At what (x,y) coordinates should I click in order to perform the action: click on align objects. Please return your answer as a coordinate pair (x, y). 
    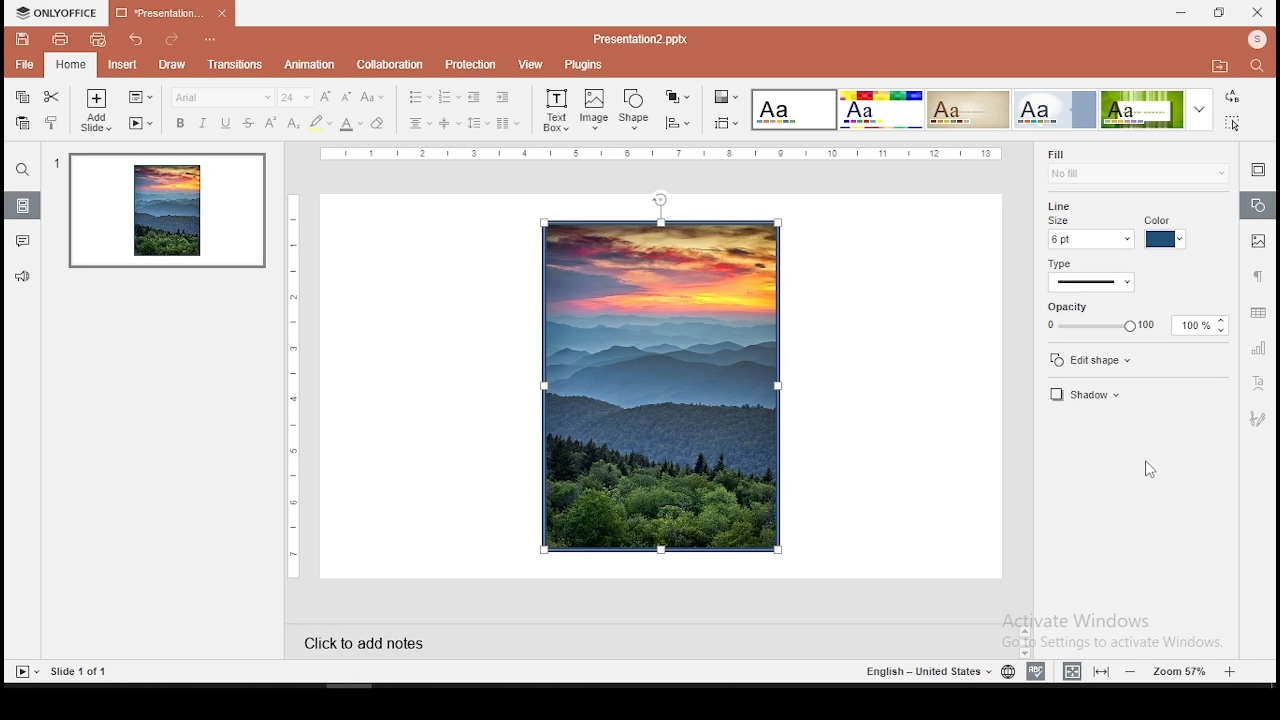
    Looking at the image, I should click on (677, 122).